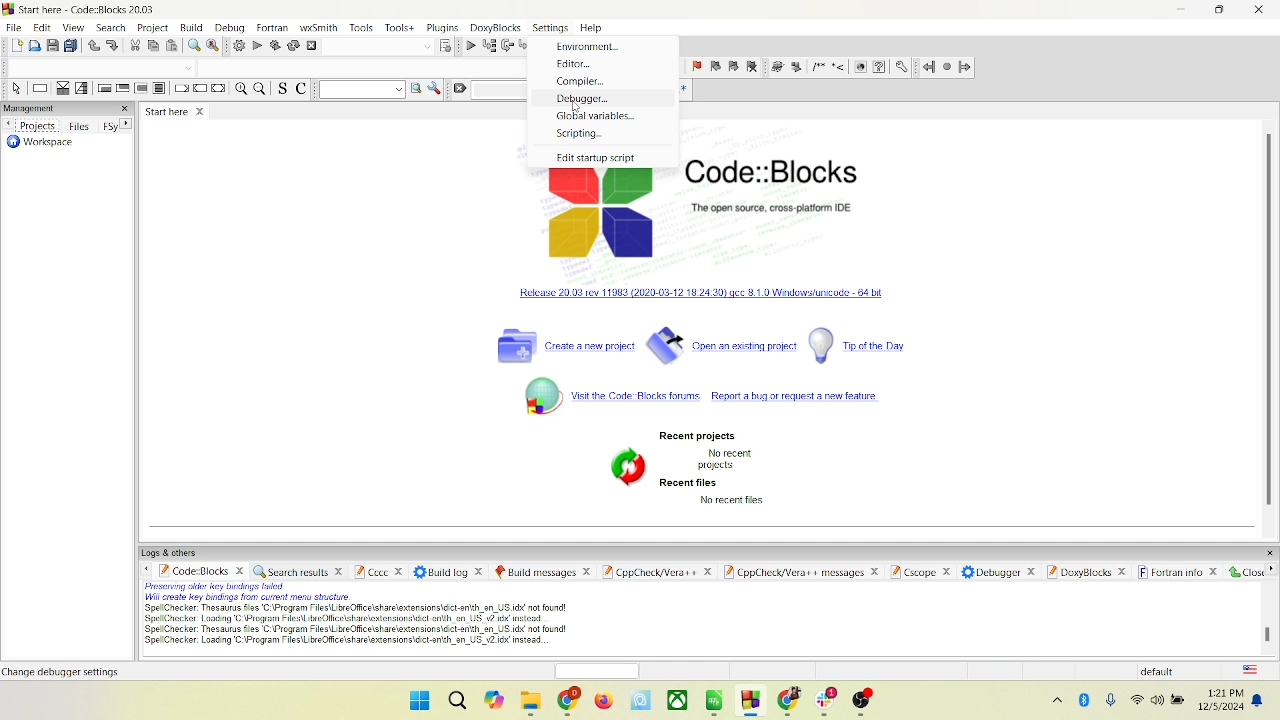 The image size is (1280, 720). I want to click on window, so click(415, 702).